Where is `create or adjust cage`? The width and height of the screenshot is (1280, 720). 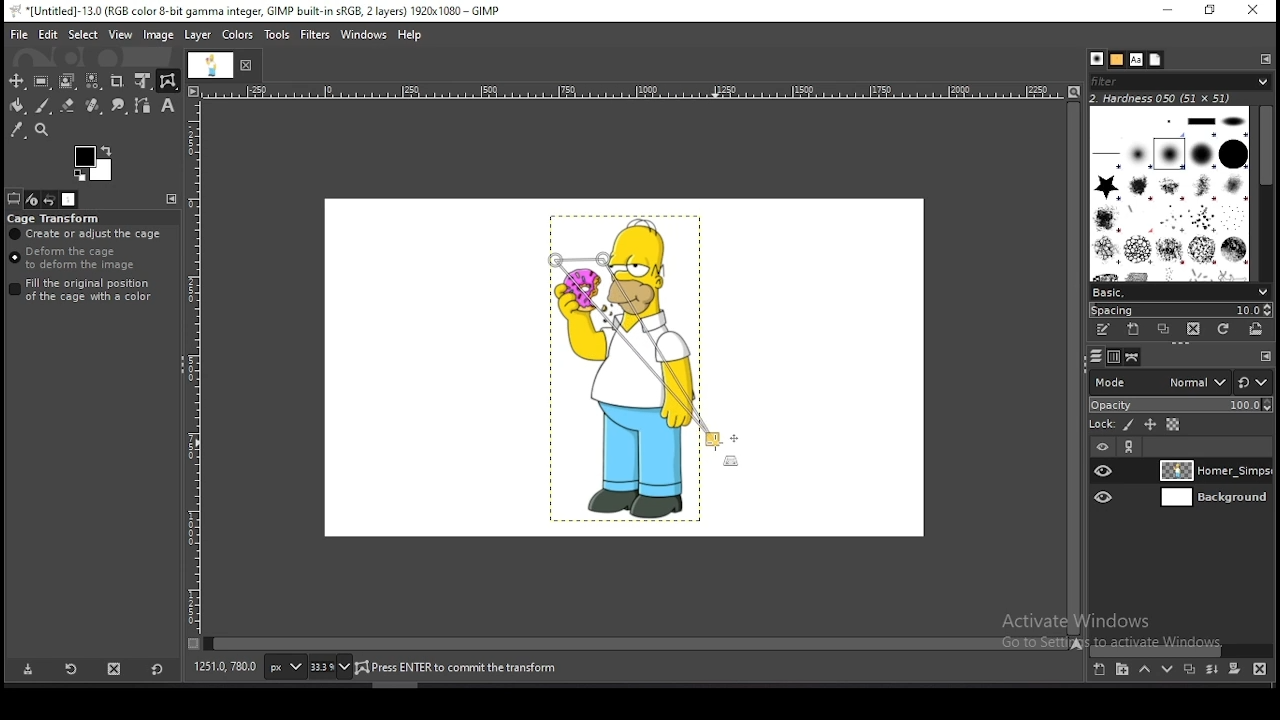
create or adjust cage is located at coordinates (87, 234).